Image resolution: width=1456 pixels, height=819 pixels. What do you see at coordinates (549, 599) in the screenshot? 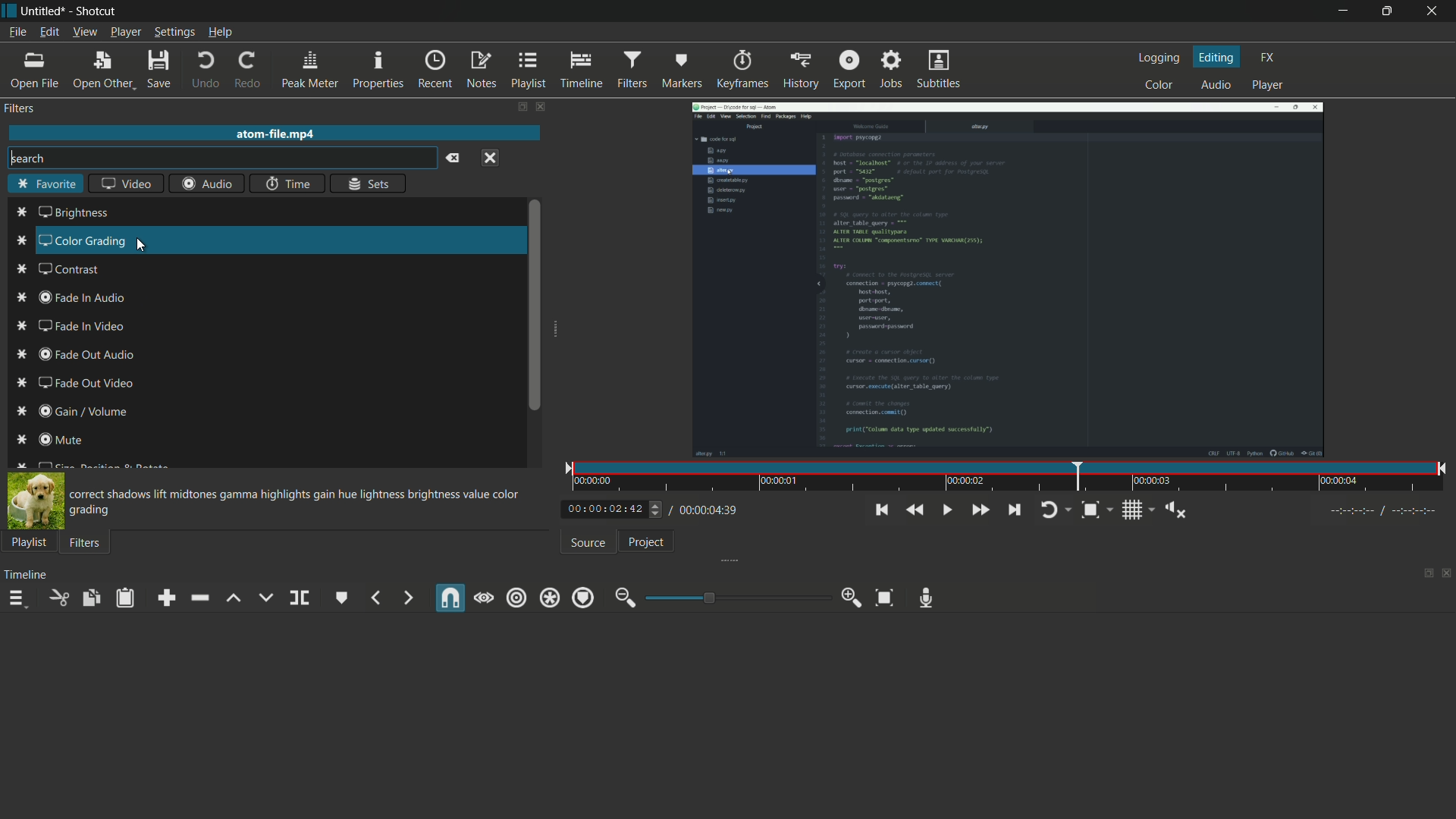
I see `ripple all tracks` at bounding box center [549, 599].